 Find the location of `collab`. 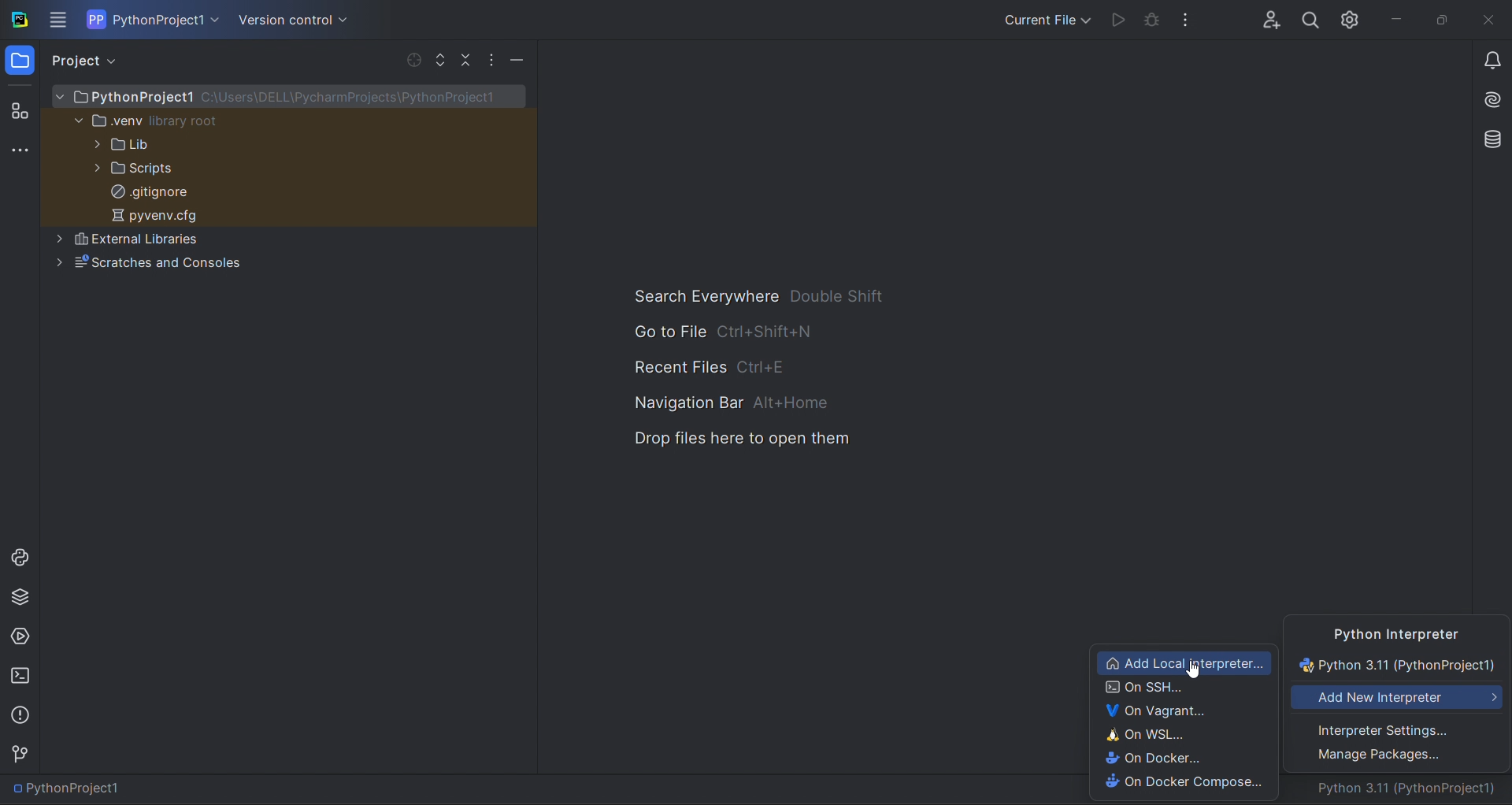

collab is located at coordinates (1265, 16).